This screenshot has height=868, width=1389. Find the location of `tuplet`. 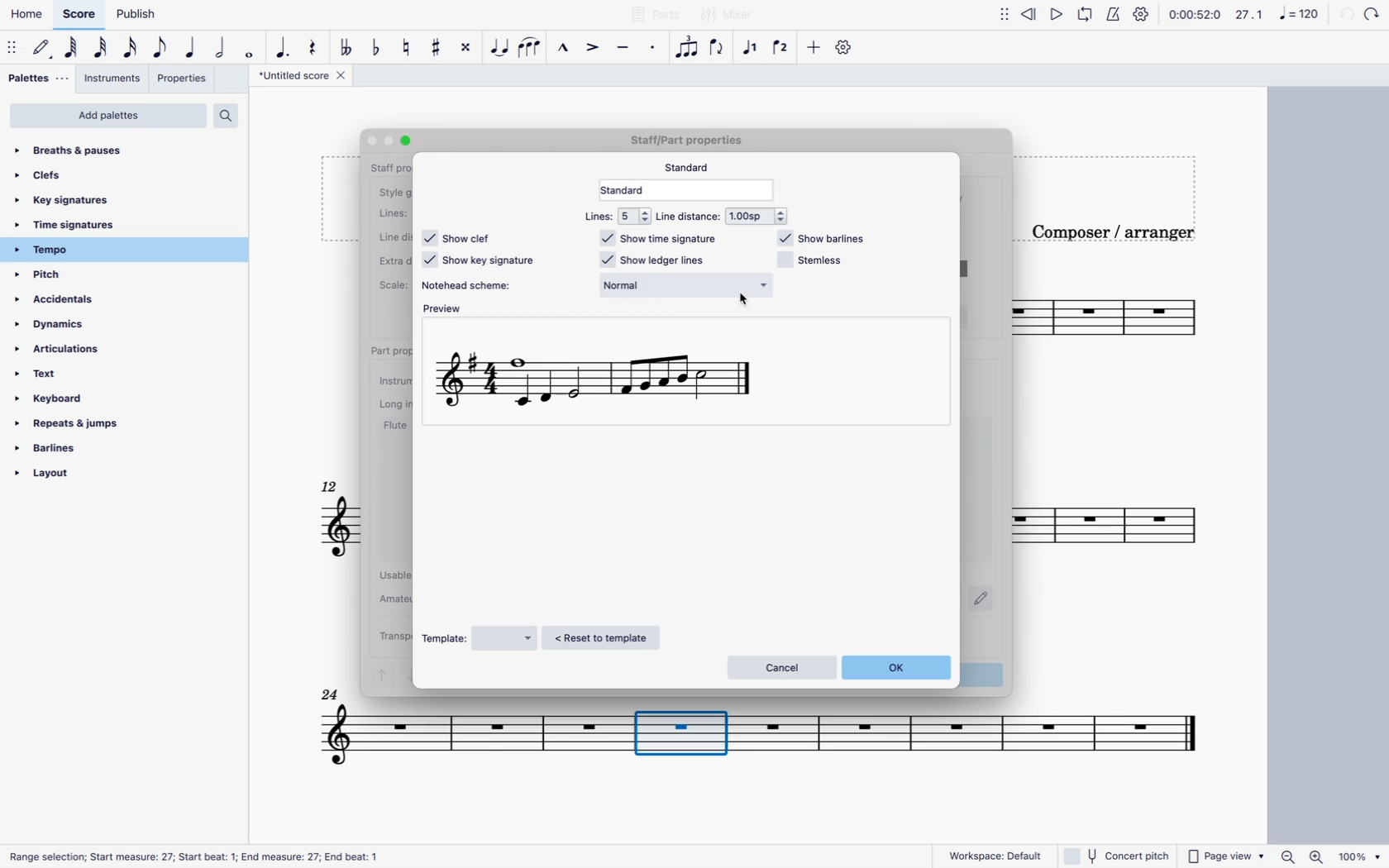

tuplet is located at coordinates (687, 47).